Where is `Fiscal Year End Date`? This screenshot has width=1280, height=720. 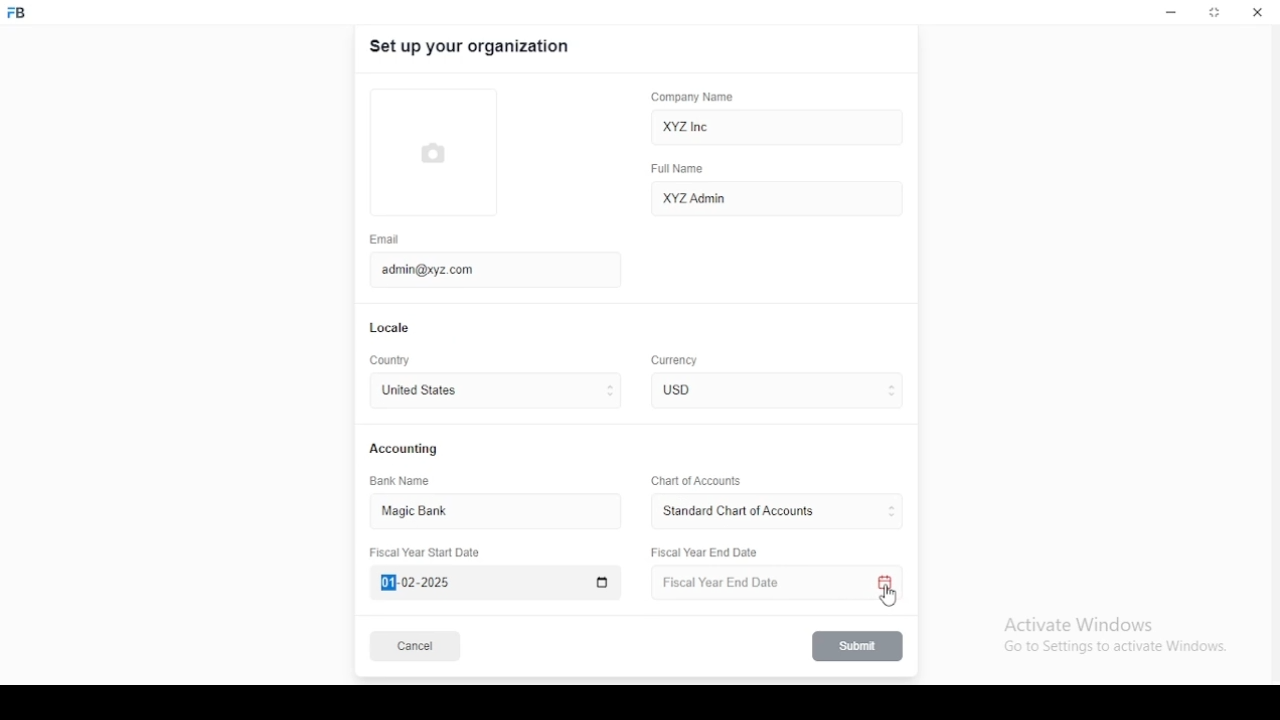 Fiscal Year End Date is located at coordinates (706, 552).